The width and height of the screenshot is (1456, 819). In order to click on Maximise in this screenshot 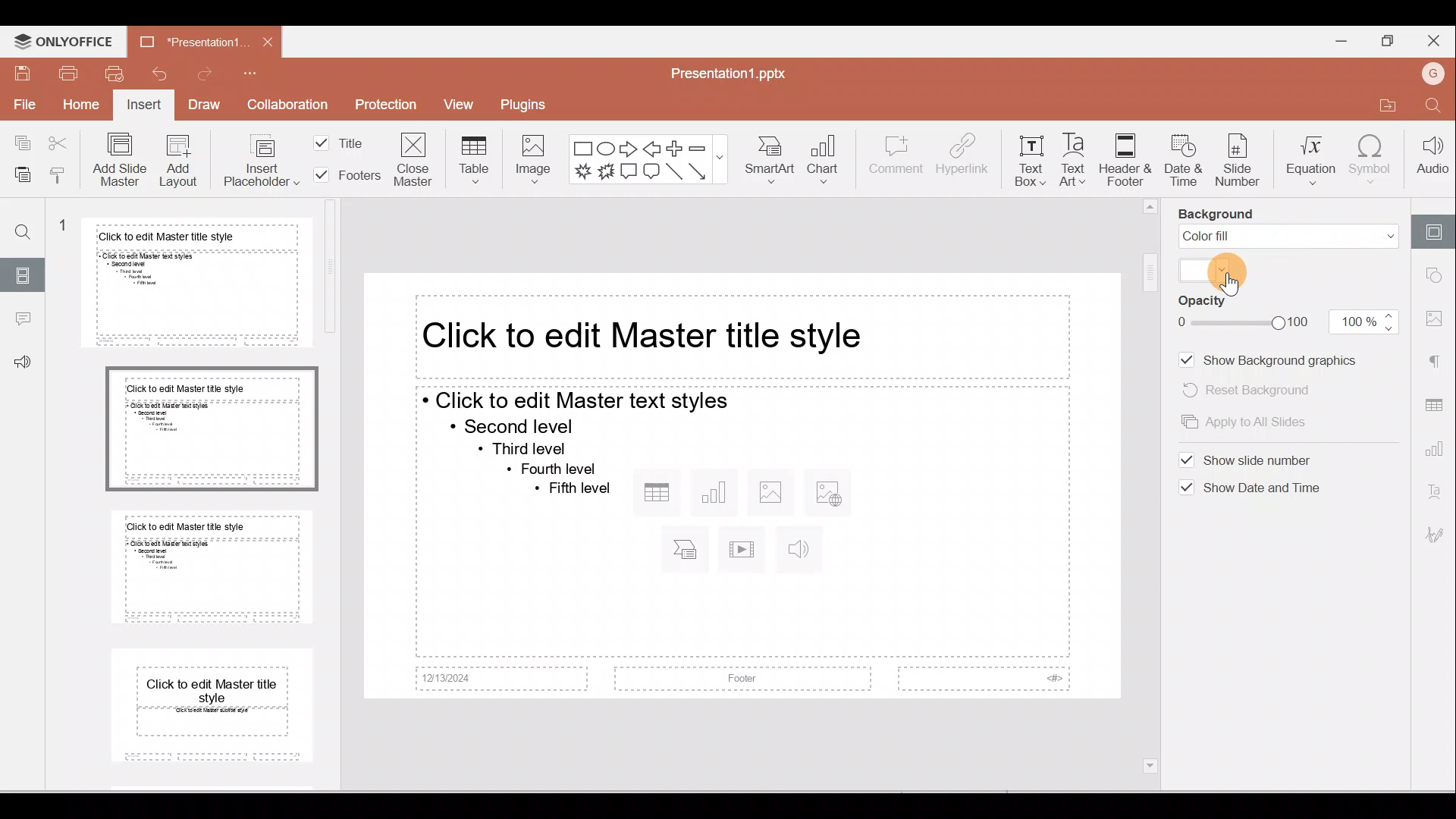, I will do `click(1384, 41)`.